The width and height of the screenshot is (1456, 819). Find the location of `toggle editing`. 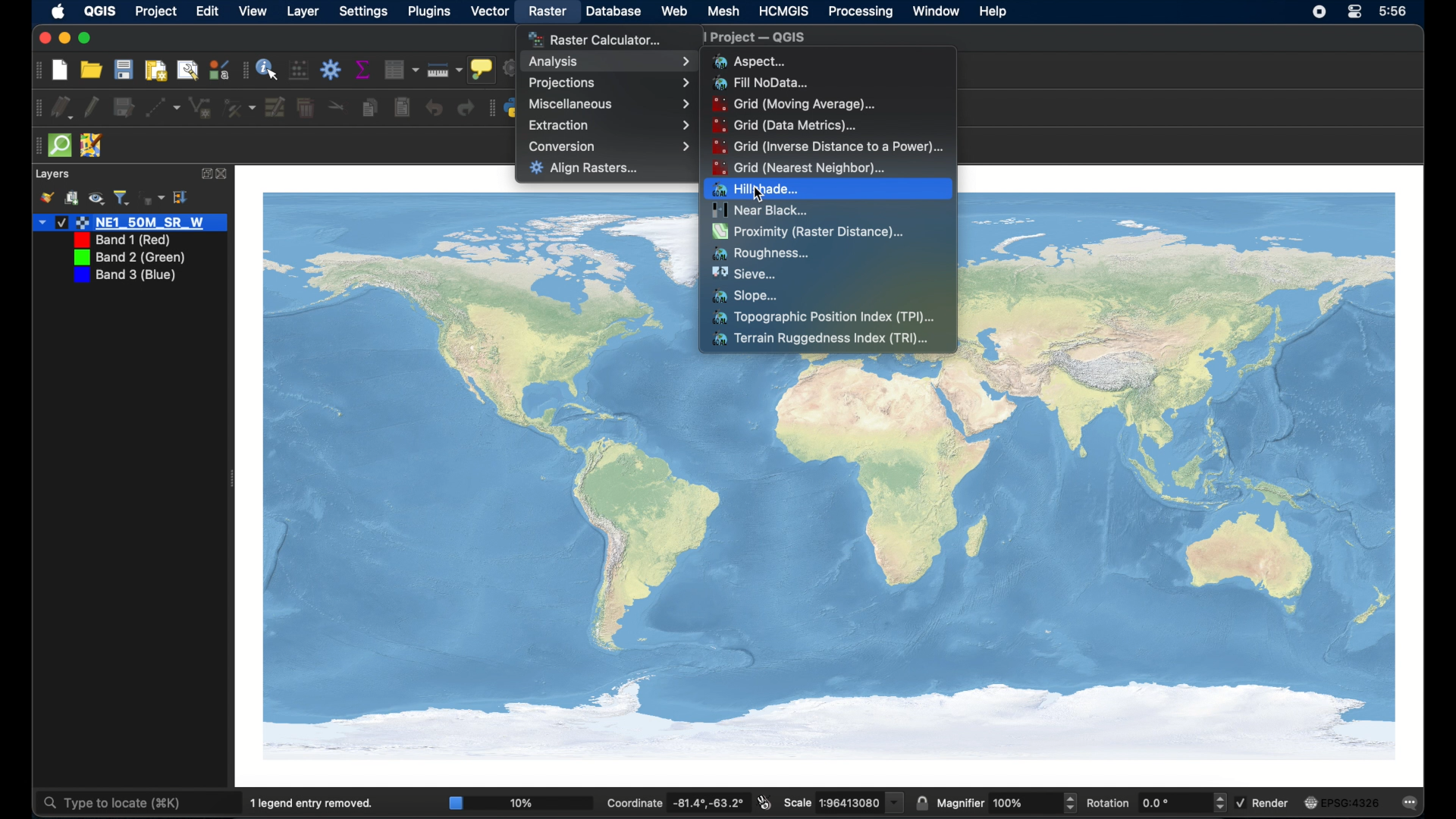

toggle editing is located at coordinates (92, 107).